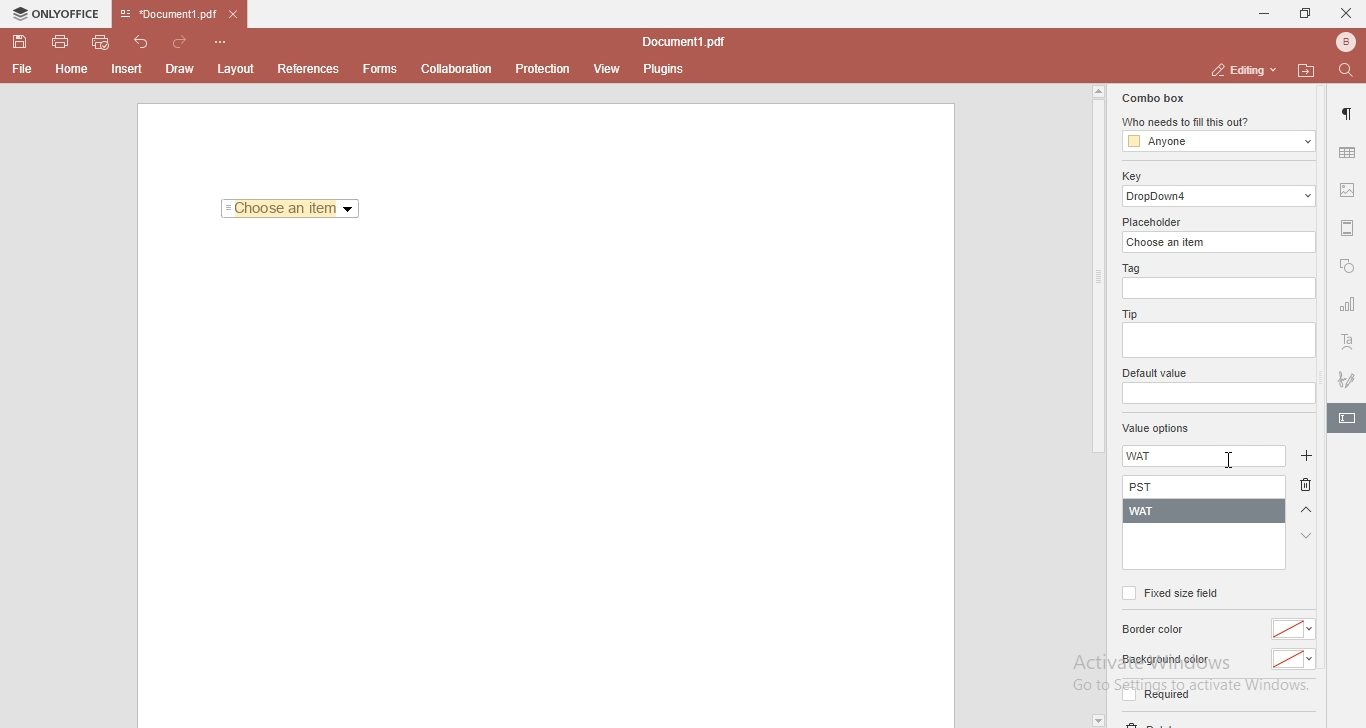 This screenshot has height=728, width=1366. Describe the element at coordinates (224, 41) in the screenshot. I see `customise quick access toolbar` at that location.